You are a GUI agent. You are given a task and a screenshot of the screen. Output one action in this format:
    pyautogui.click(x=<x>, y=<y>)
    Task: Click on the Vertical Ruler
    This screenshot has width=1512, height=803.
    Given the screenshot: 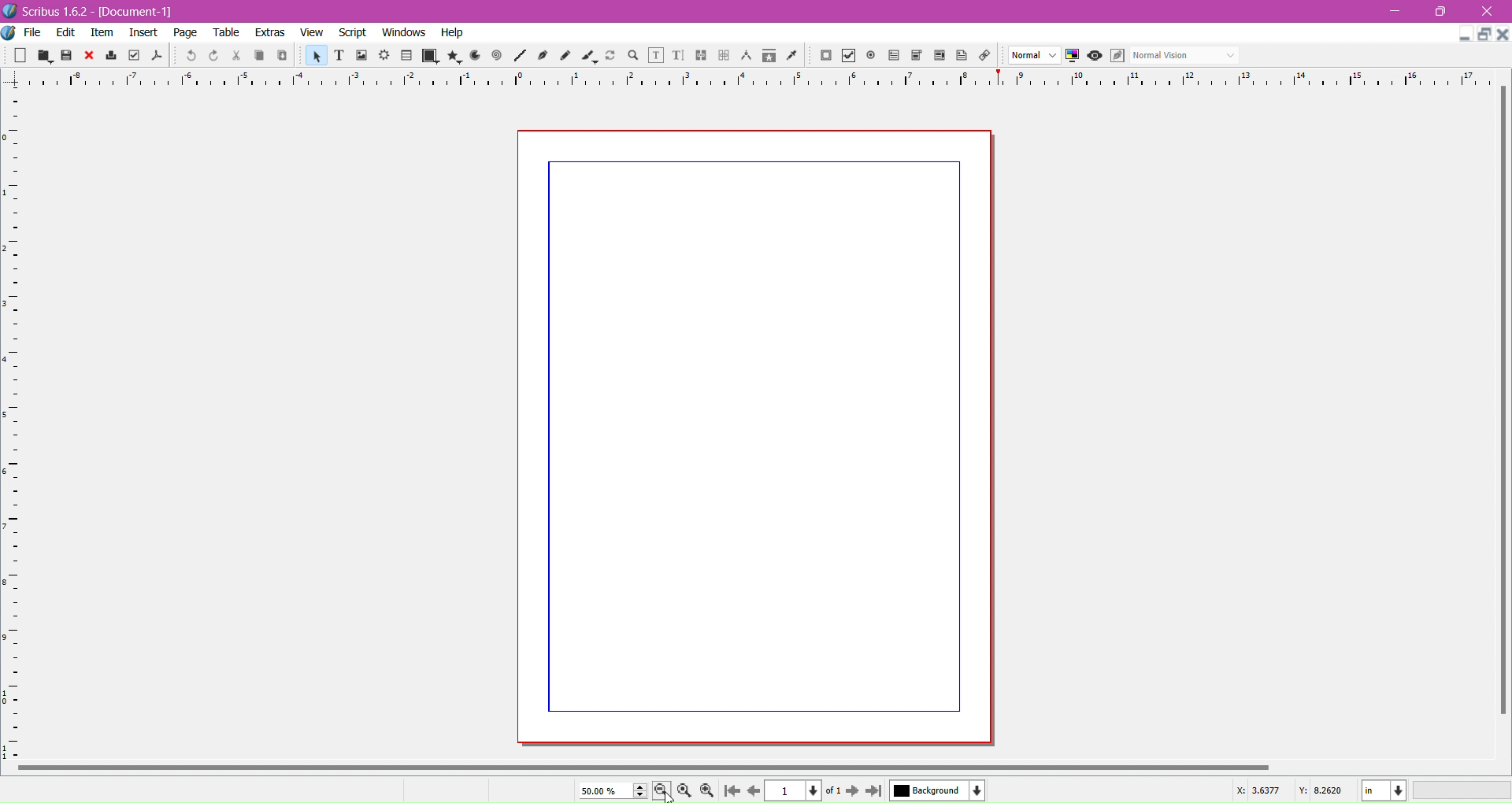 What is the action you would take?
    pyautogui.click(x=16, y=420)
    